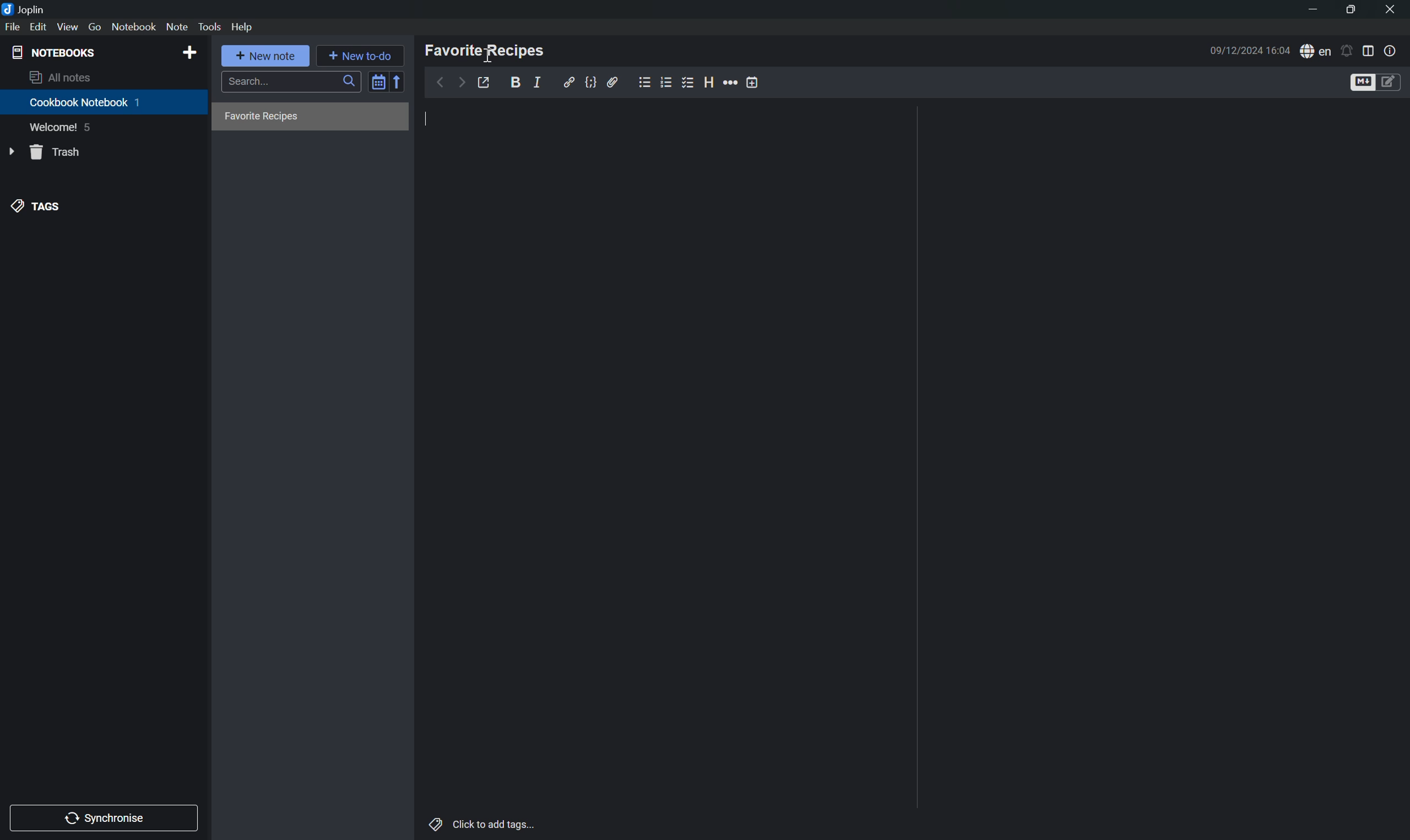  What do you see at coordinates (439, 83) in the screenshot?
I see `Back` at bounding box center [439, 83].